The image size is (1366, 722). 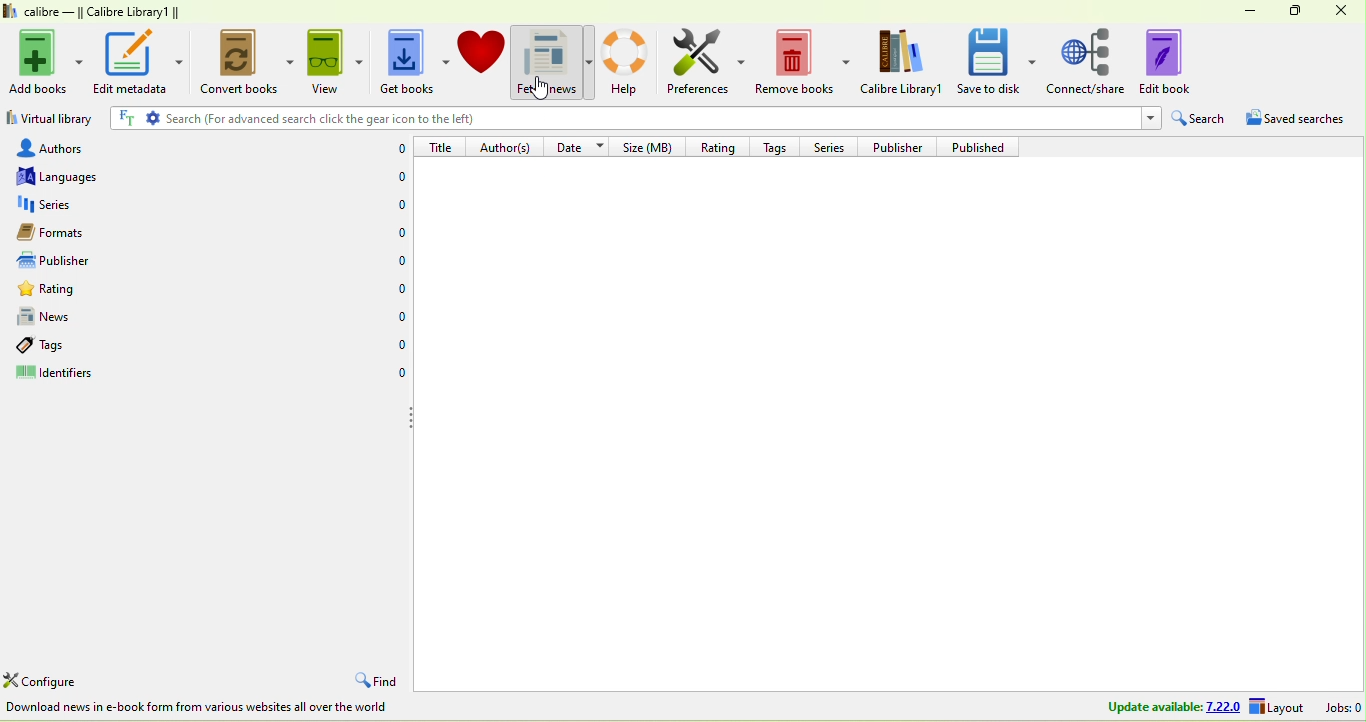 What do you see at coordinates (291, 68) in the screenshot?
I see `convert books options` at bounding box center [291, 68].